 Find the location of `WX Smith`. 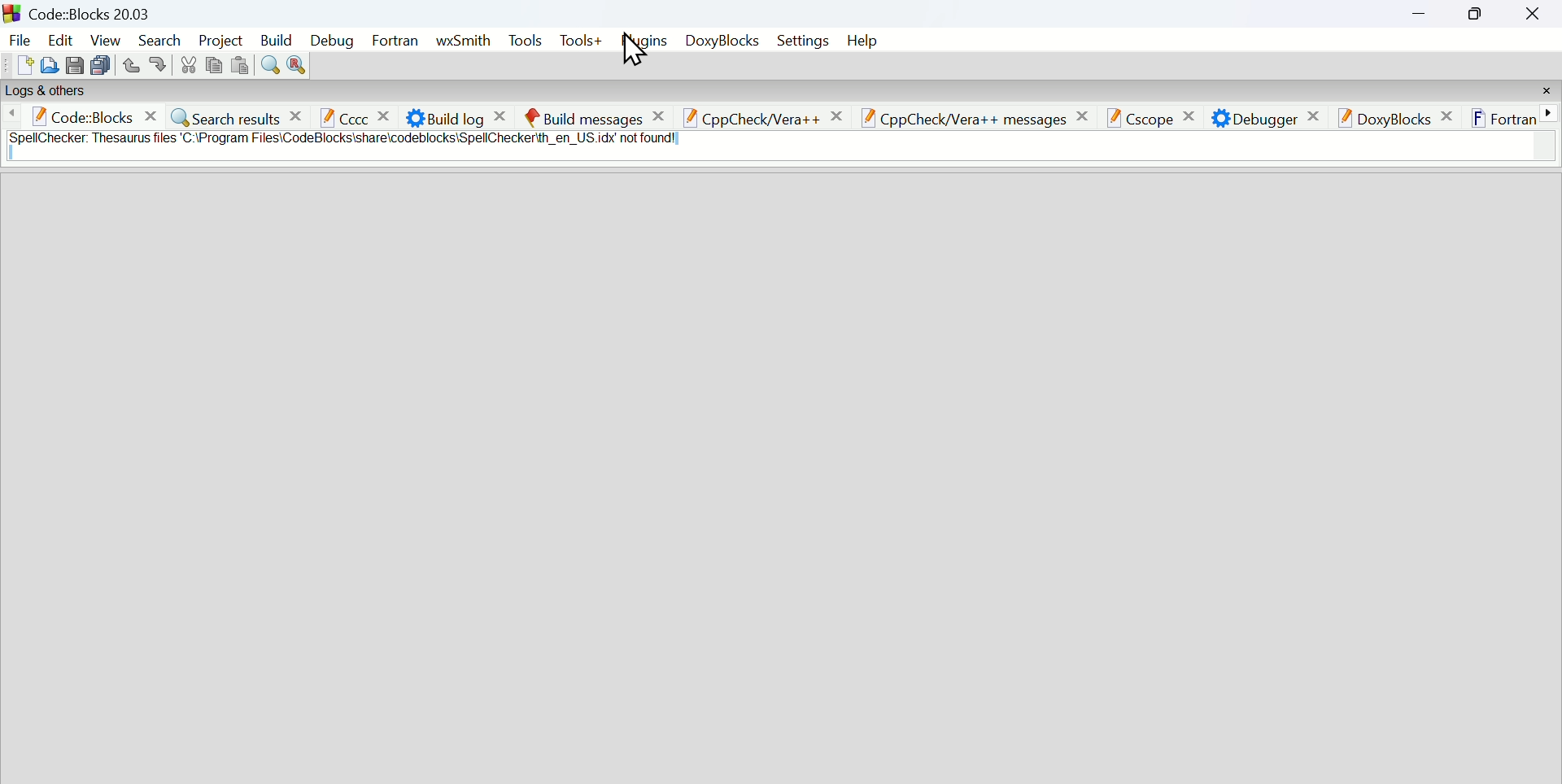

WX Smith is located at coordinates (463, 40).